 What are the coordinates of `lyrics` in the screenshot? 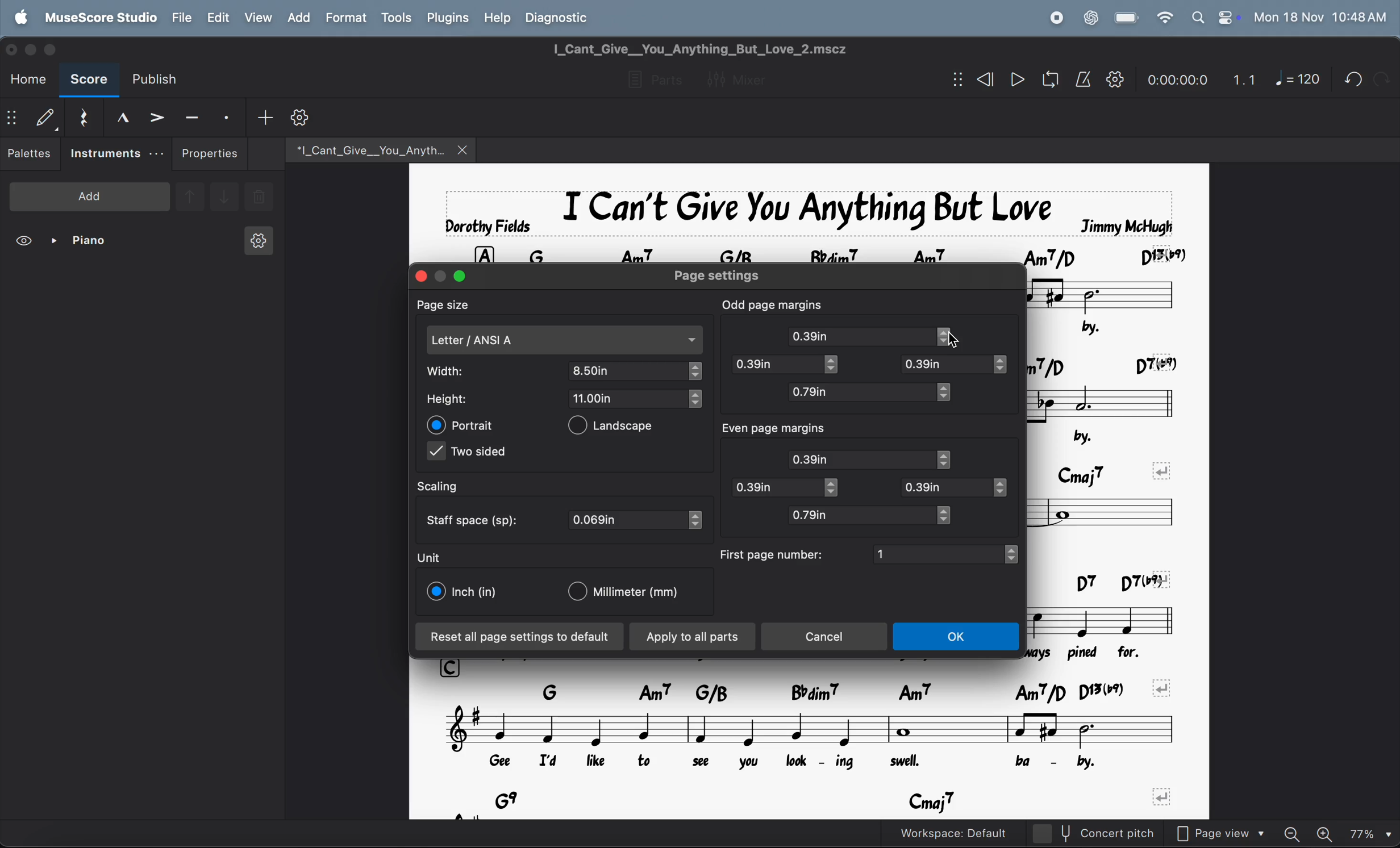 It's located at (790, 765).